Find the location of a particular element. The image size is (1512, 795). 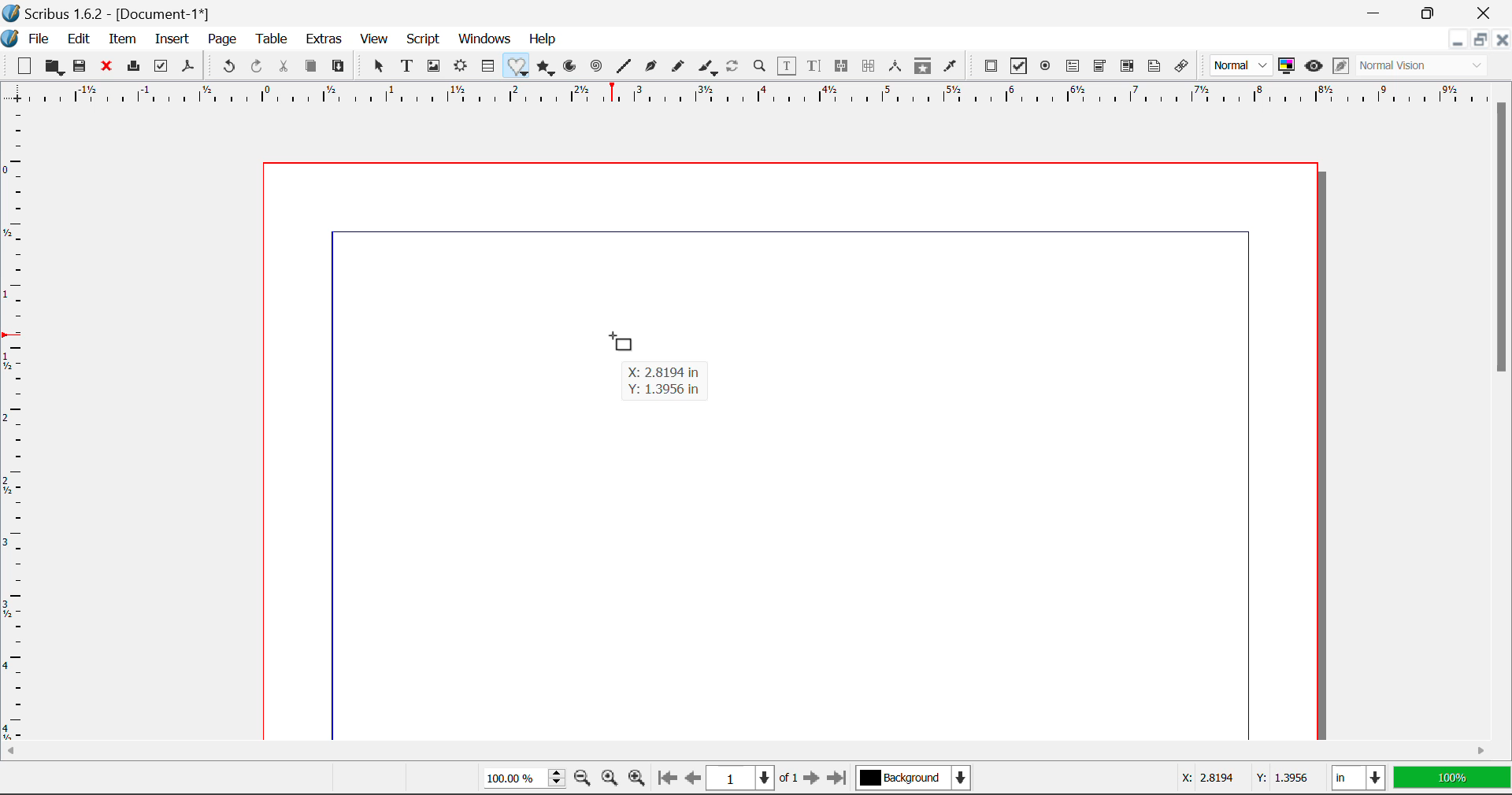

Redo is located at coordinates (256, 65).